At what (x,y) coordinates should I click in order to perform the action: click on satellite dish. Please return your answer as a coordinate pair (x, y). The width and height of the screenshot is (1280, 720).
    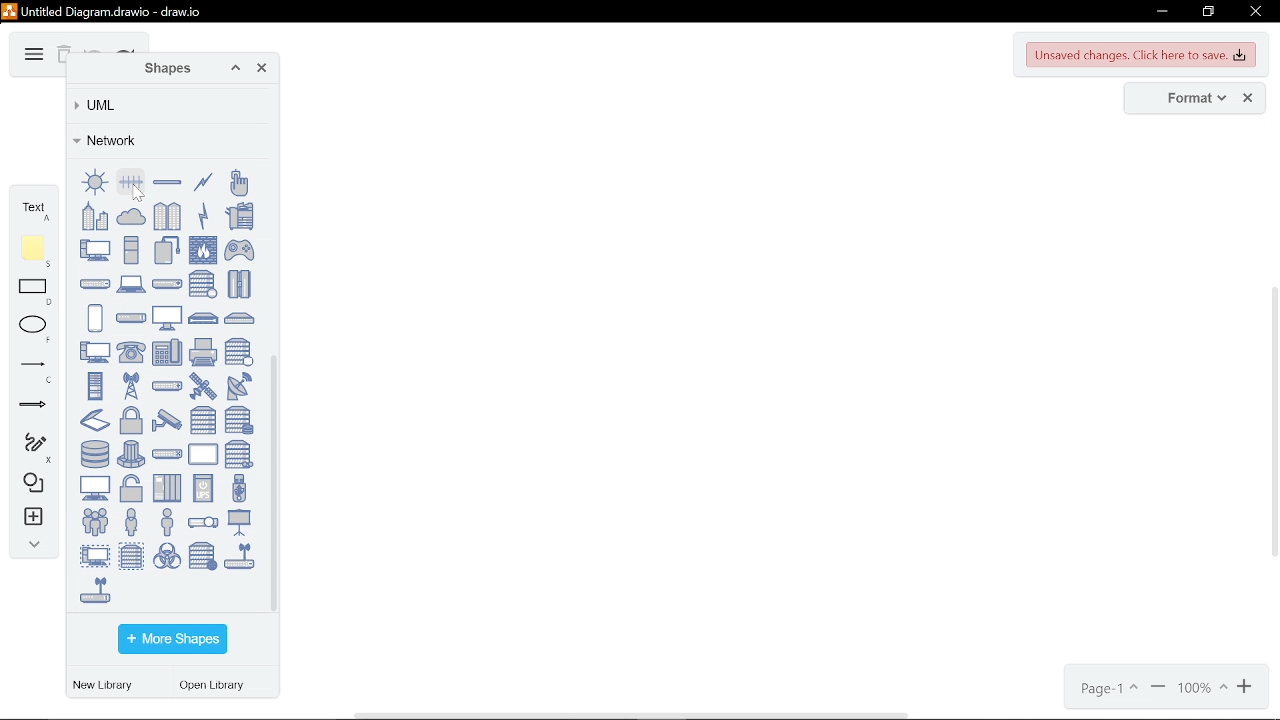
    Looking at the image, I should click on (239, 386).